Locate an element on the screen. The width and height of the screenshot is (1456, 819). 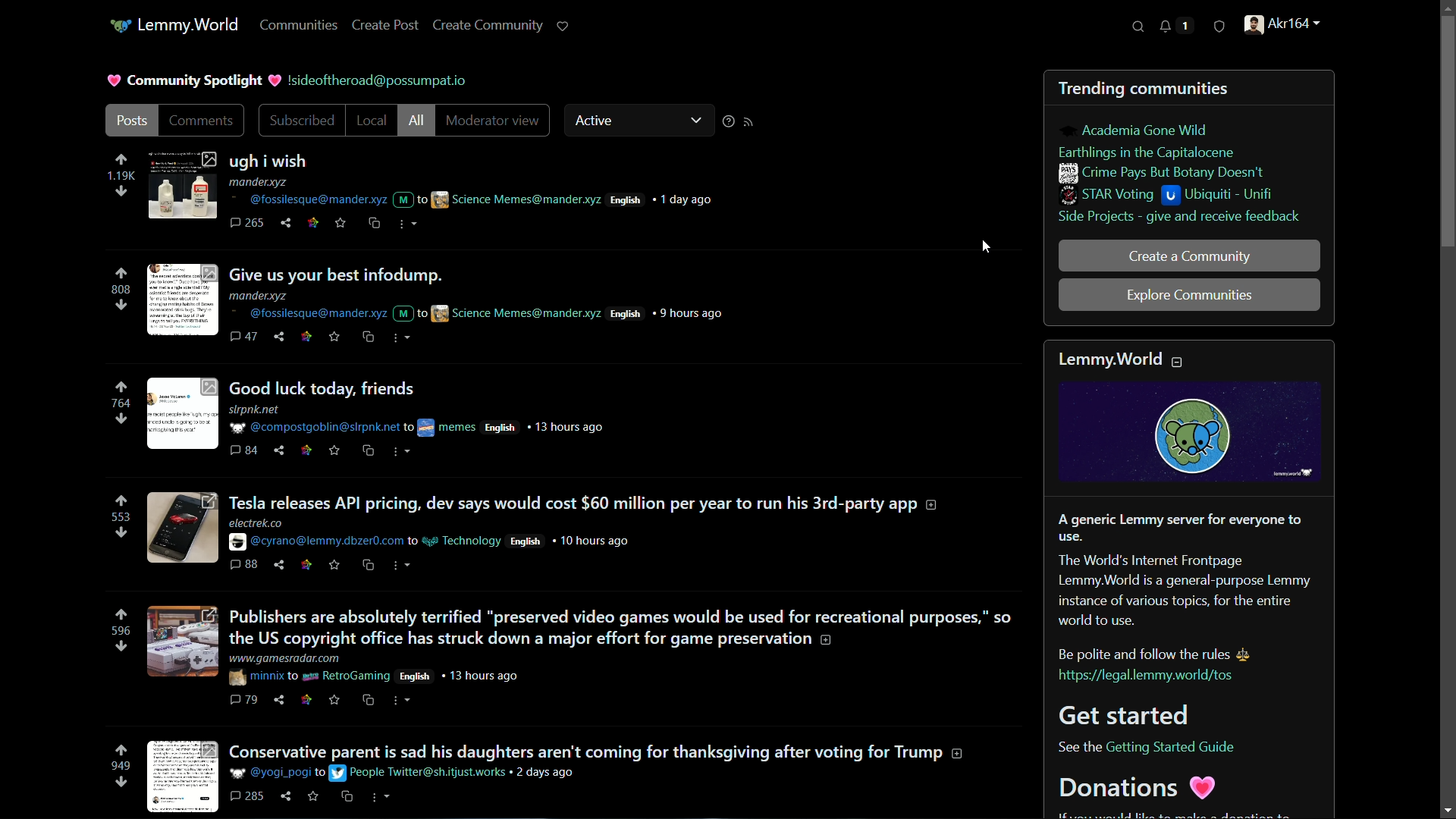
thumbnail is located at coordinates (183, 528).